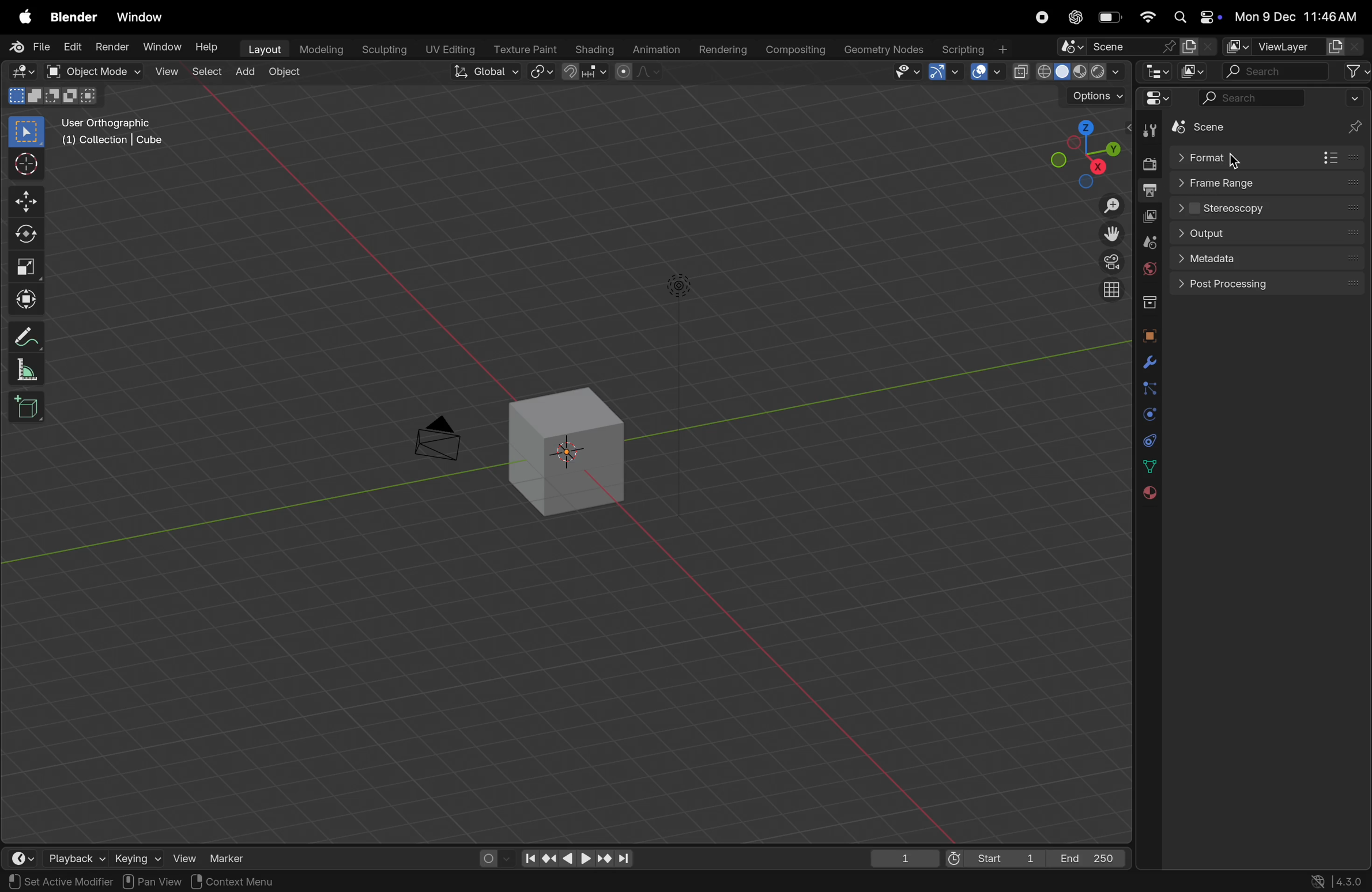 Image resolution: width=1372 pixels, height=892 pixels. Describe the element at coordinates (1109, 291) in the screenshot. I see `orthographic view` at that location.